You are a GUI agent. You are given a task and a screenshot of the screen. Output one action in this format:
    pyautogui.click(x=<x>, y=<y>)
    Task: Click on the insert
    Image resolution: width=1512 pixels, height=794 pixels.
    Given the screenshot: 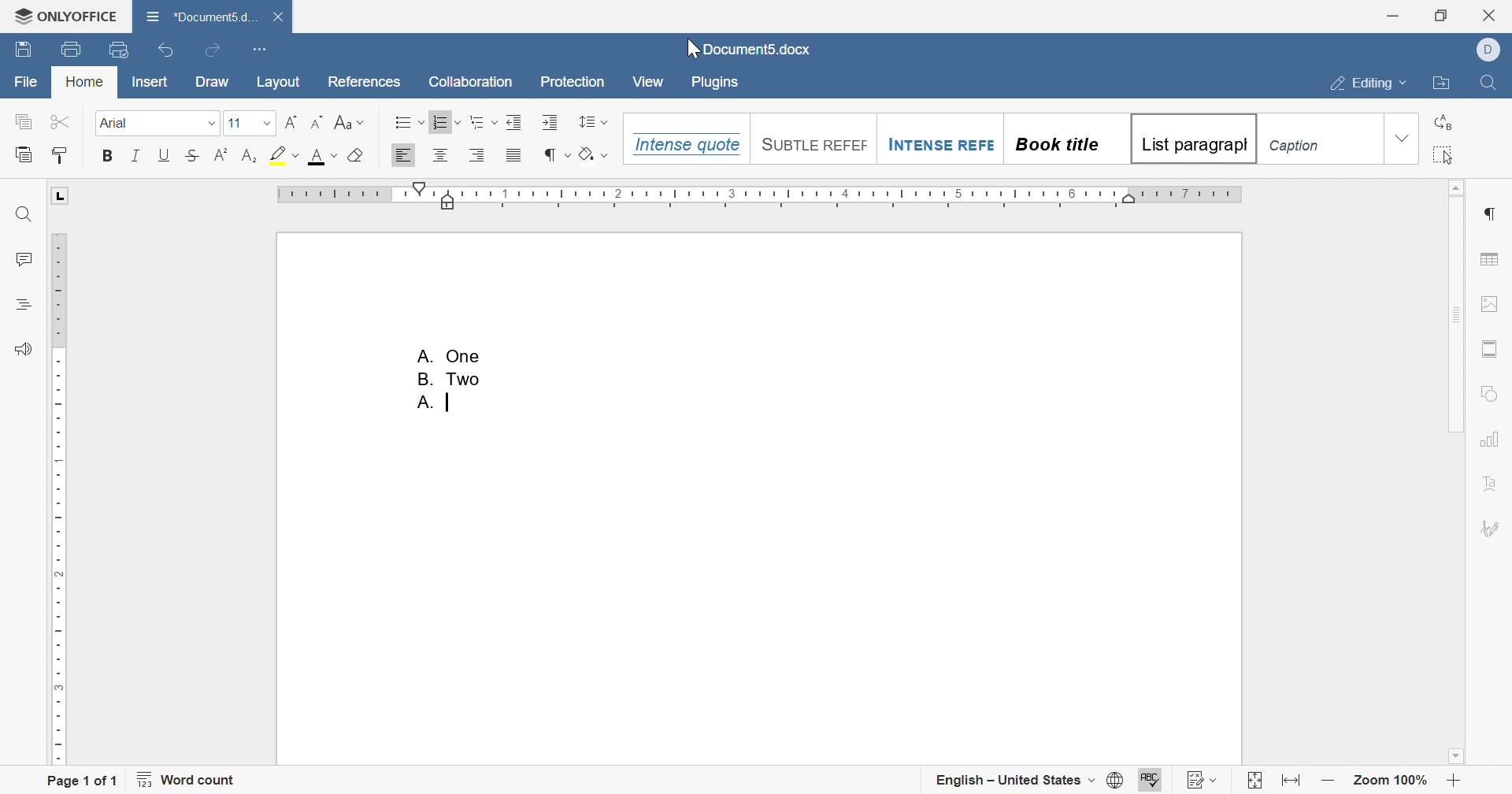 What is the action you would take?
    pyautogui.click(x=150, y=81)
    